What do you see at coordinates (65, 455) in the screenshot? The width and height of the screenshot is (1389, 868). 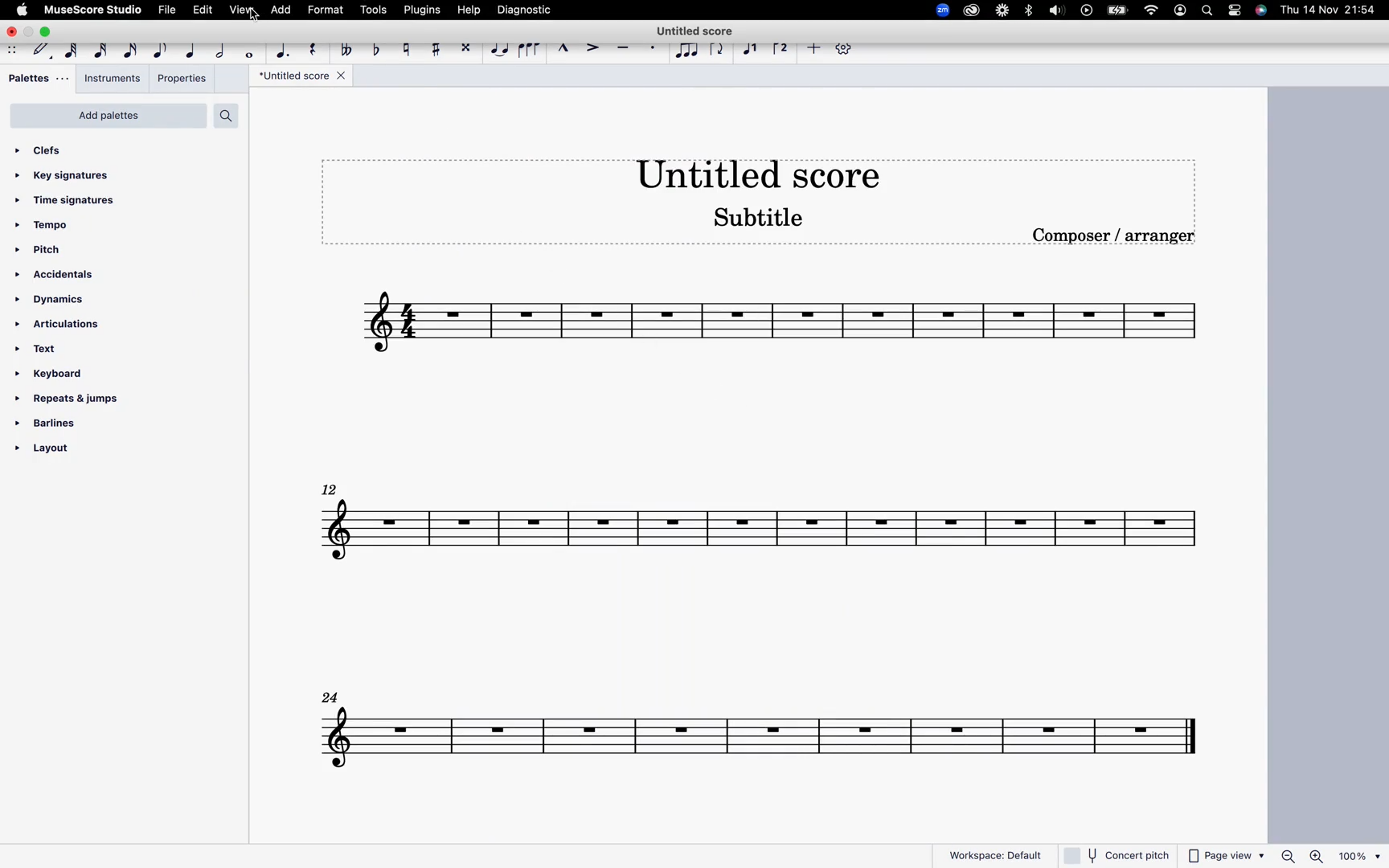 I see `layout` at bounding box center [65, 455].